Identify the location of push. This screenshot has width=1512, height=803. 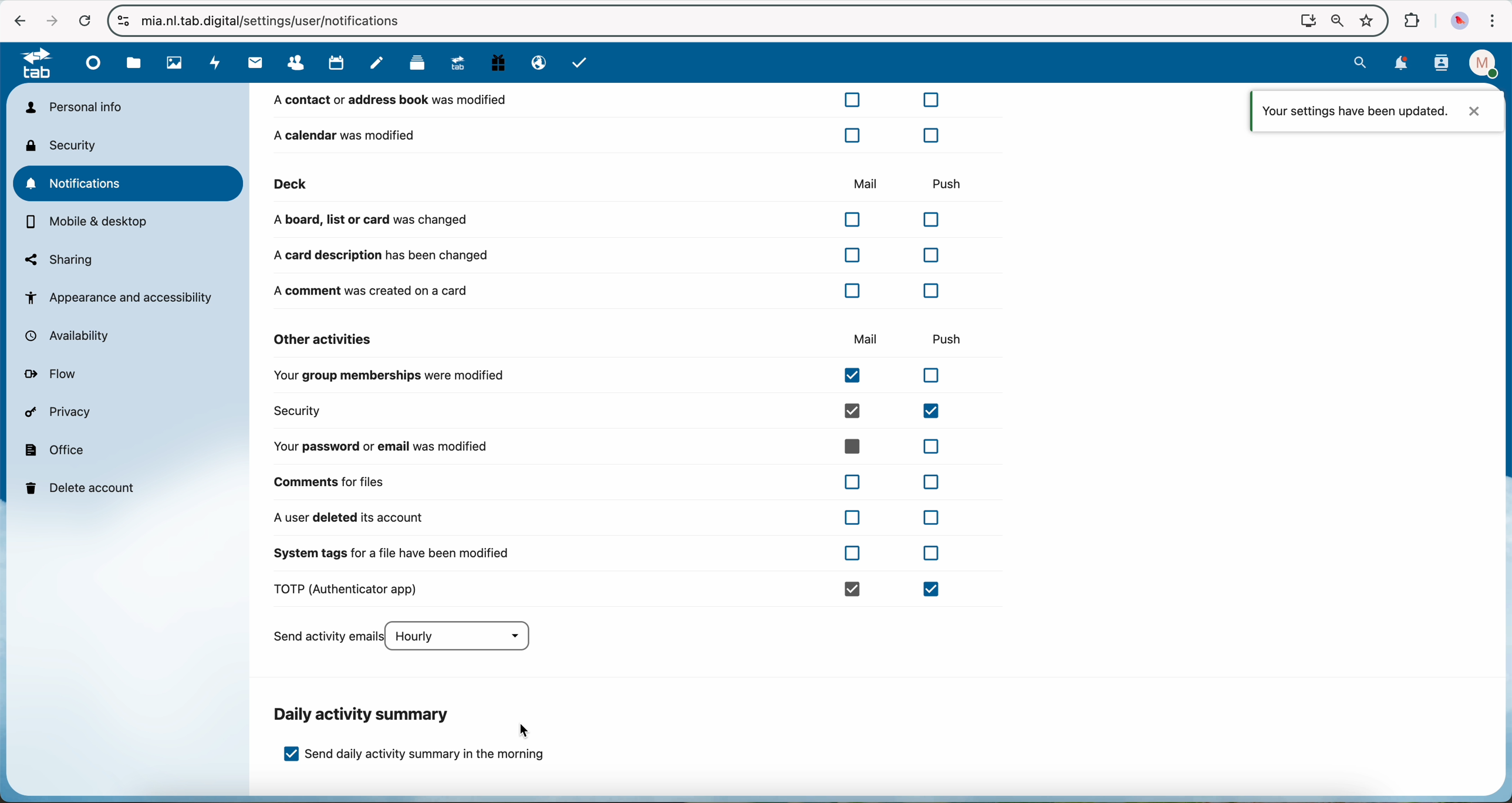
(953, 338).